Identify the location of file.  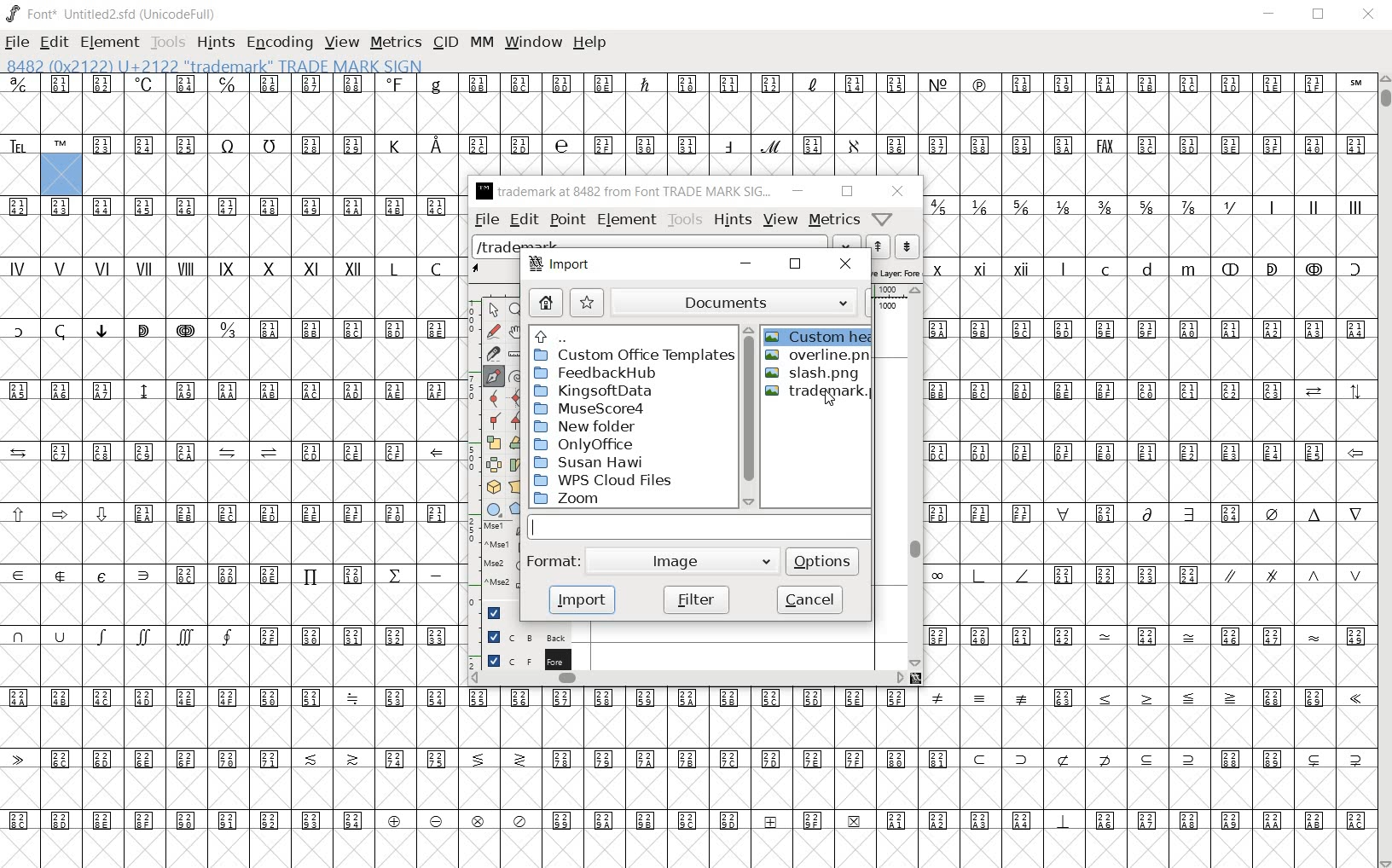
(488, 220).